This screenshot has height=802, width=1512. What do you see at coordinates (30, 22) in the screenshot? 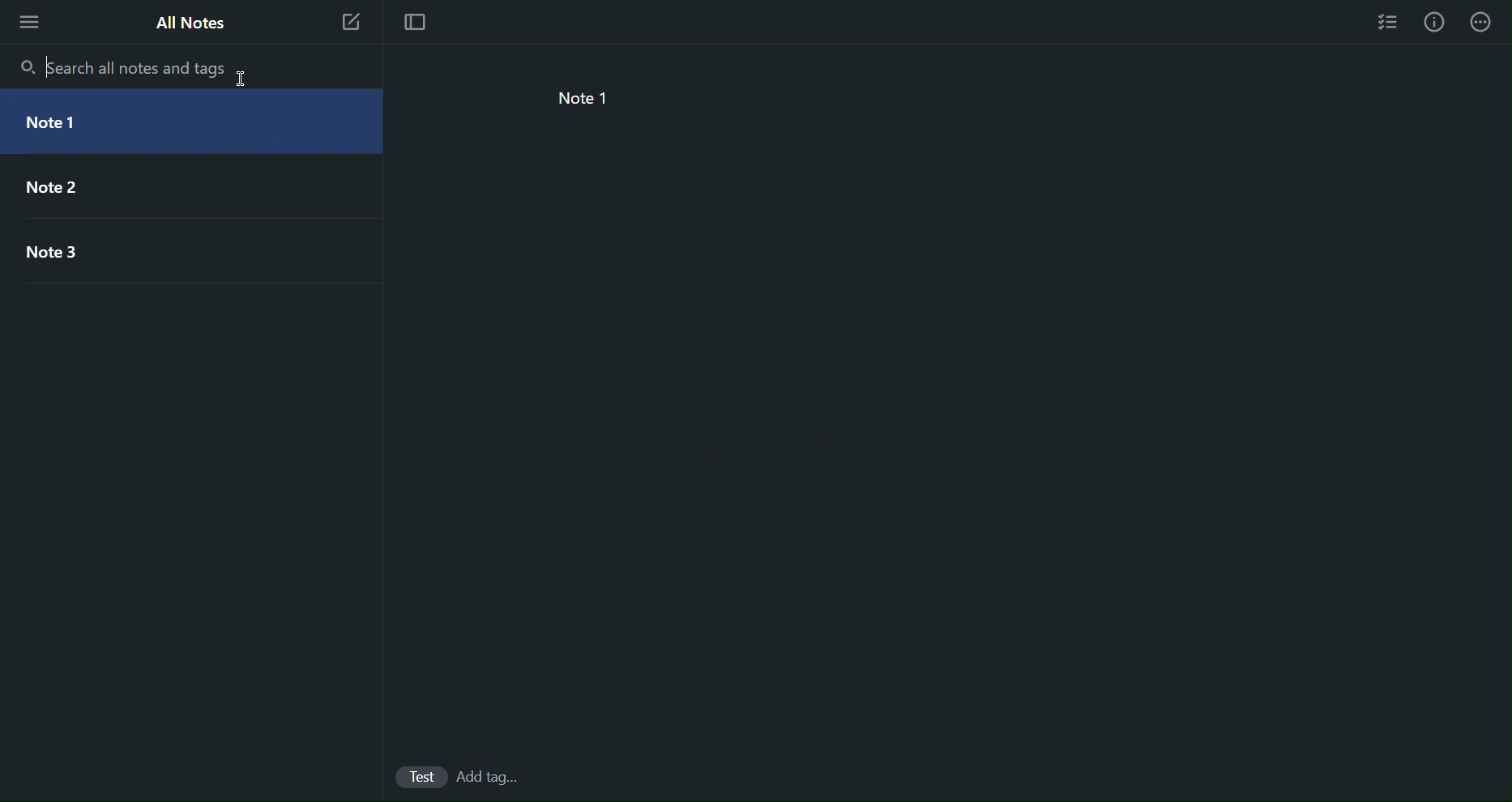
I see `More` at bounding box center [30, 22].